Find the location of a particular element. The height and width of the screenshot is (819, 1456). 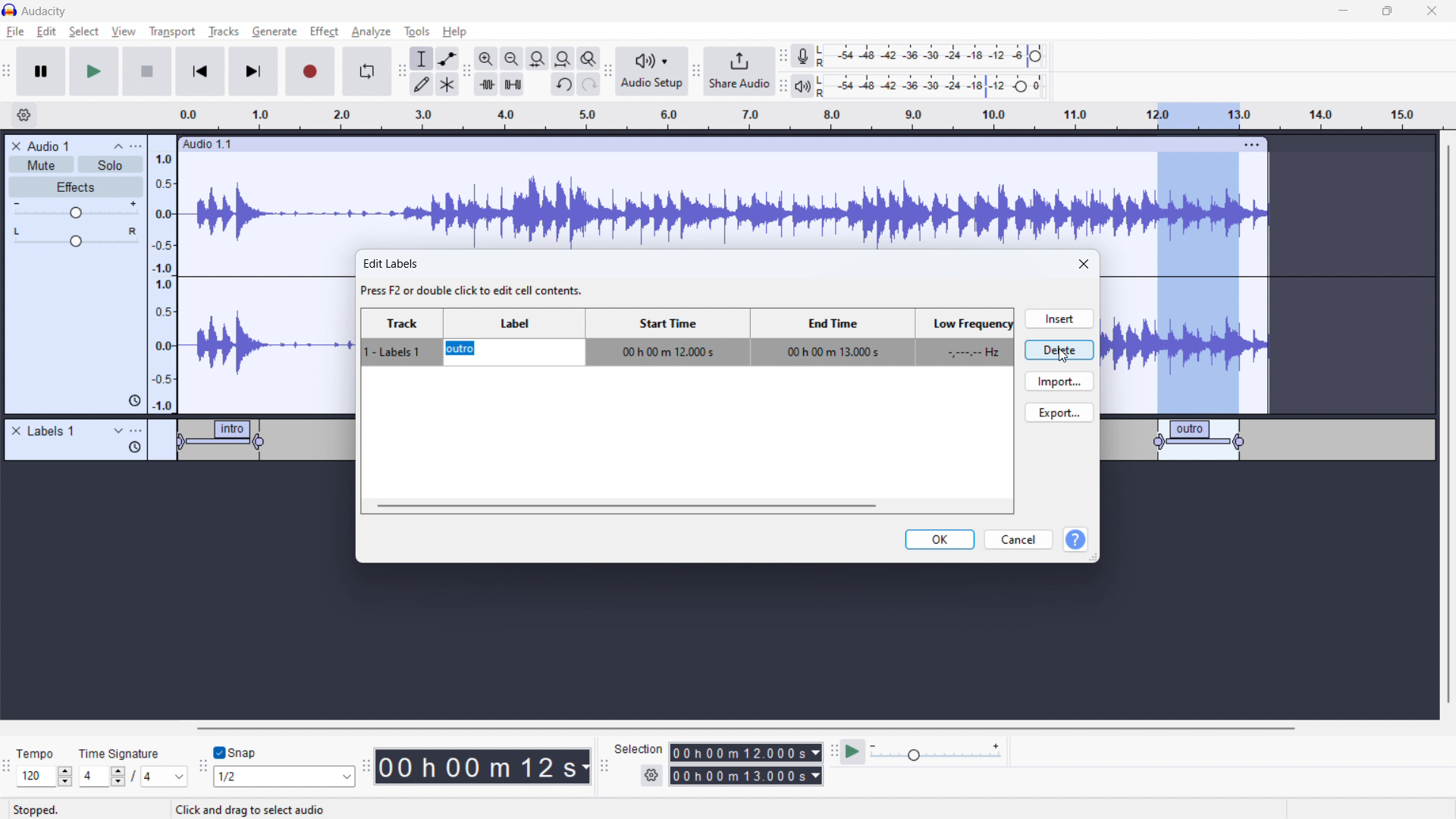

timeline is located at coordinates (180, 510).